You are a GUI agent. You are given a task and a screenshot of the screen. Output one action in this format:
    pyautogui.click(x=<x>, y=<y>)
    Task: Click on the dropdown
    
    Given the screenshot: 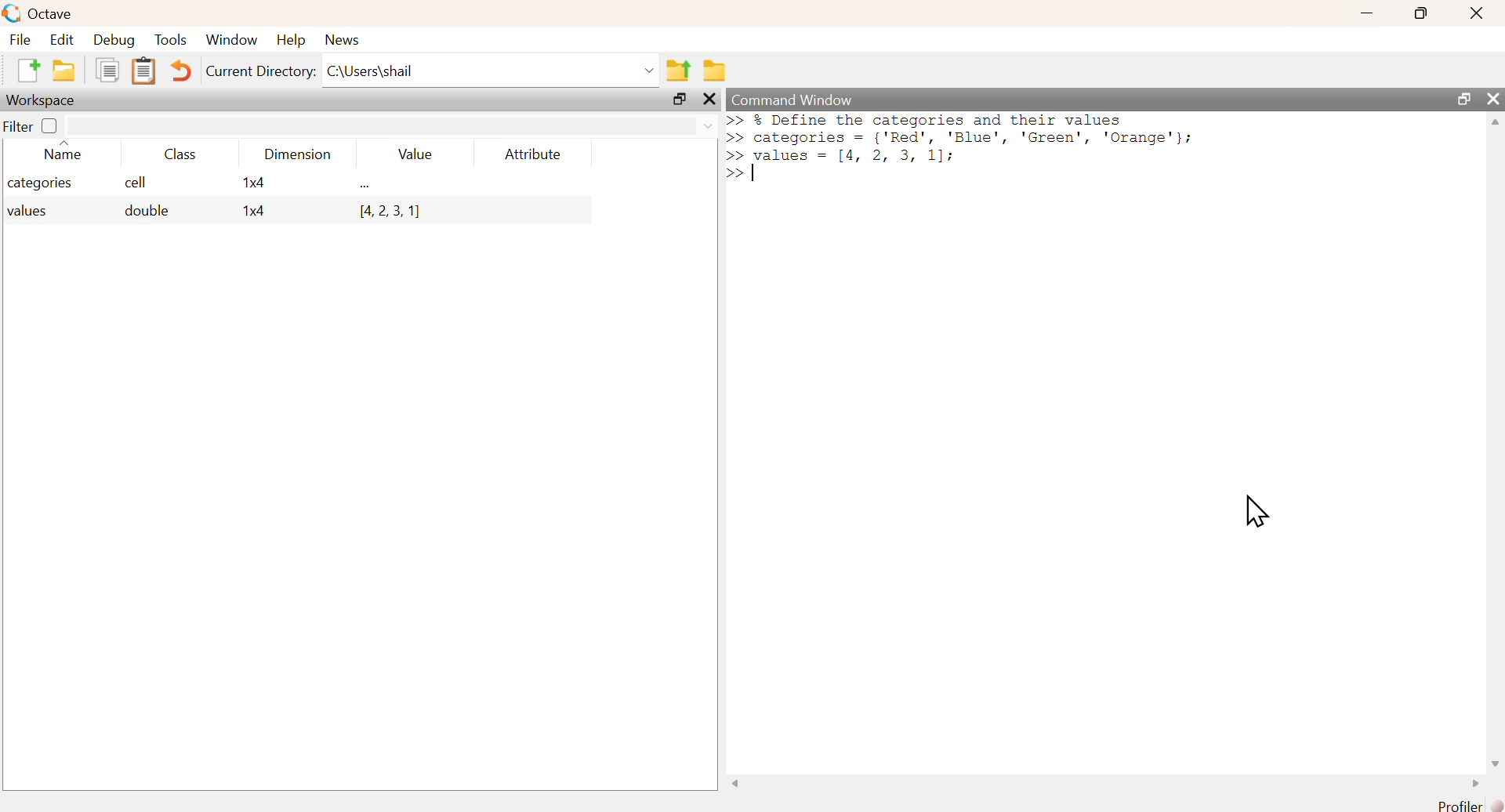 What is the action you would take?
    pyautogui.click(x=708, y=124)
    